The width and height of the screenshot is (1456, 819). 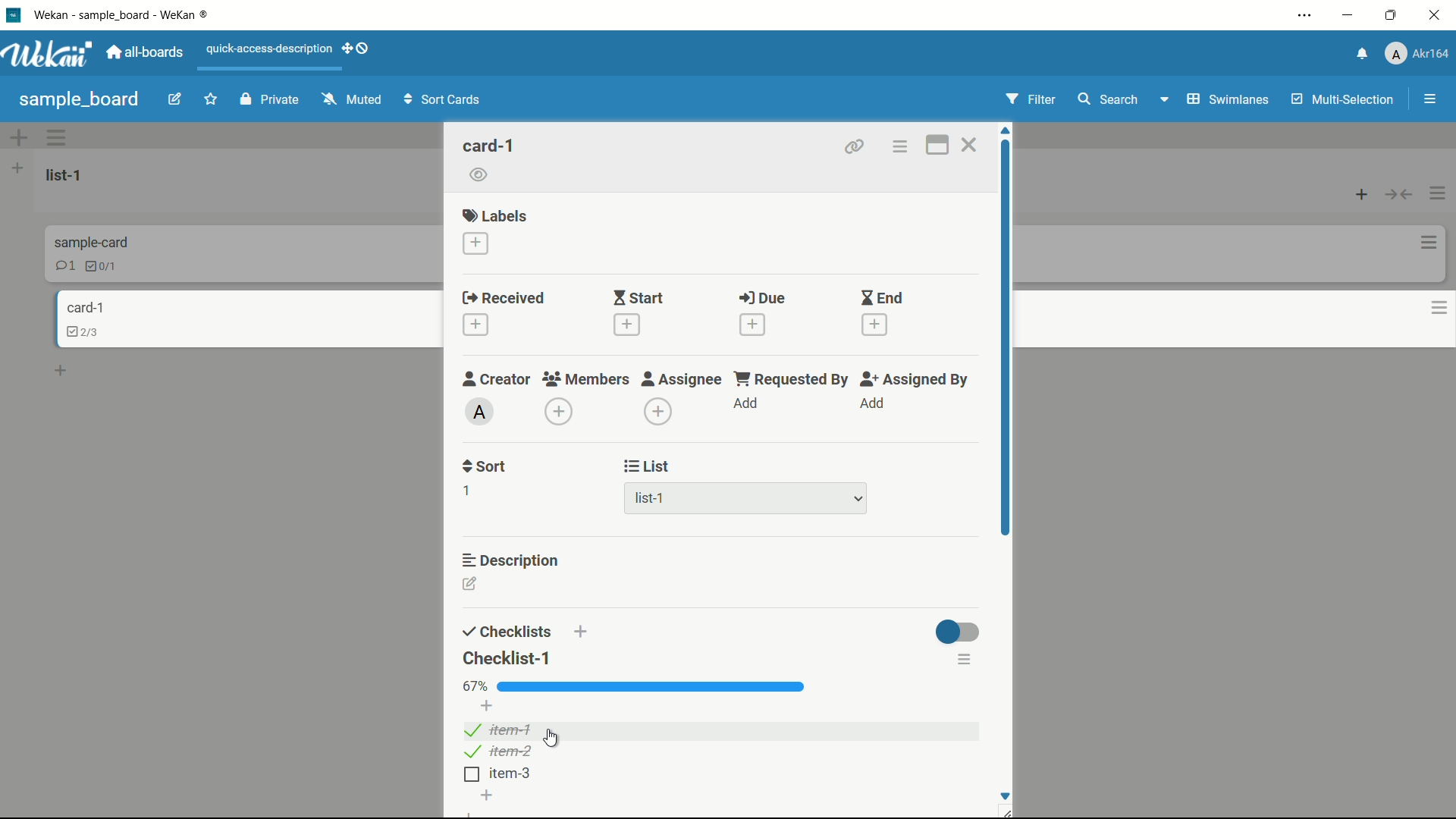 I want to click on checklist progress bar, so click(x=651, y=686).